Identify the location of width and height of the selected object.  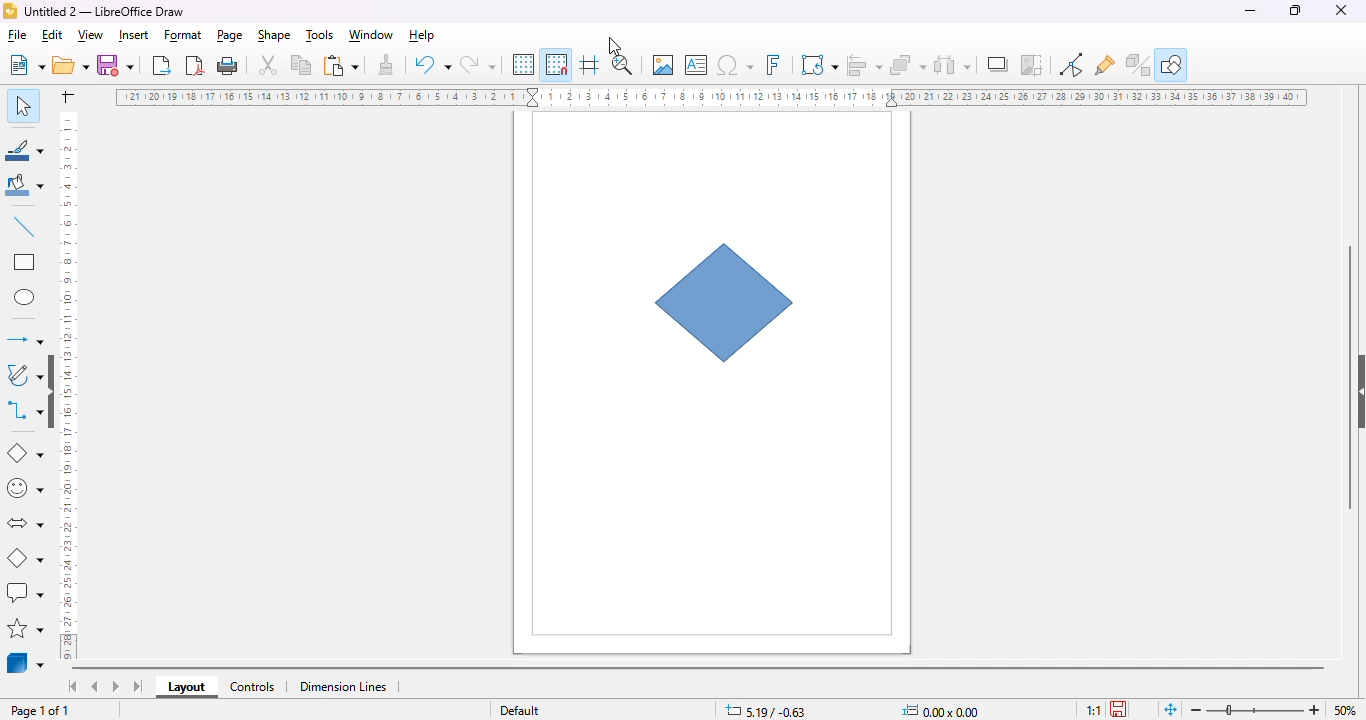
(942, 710).